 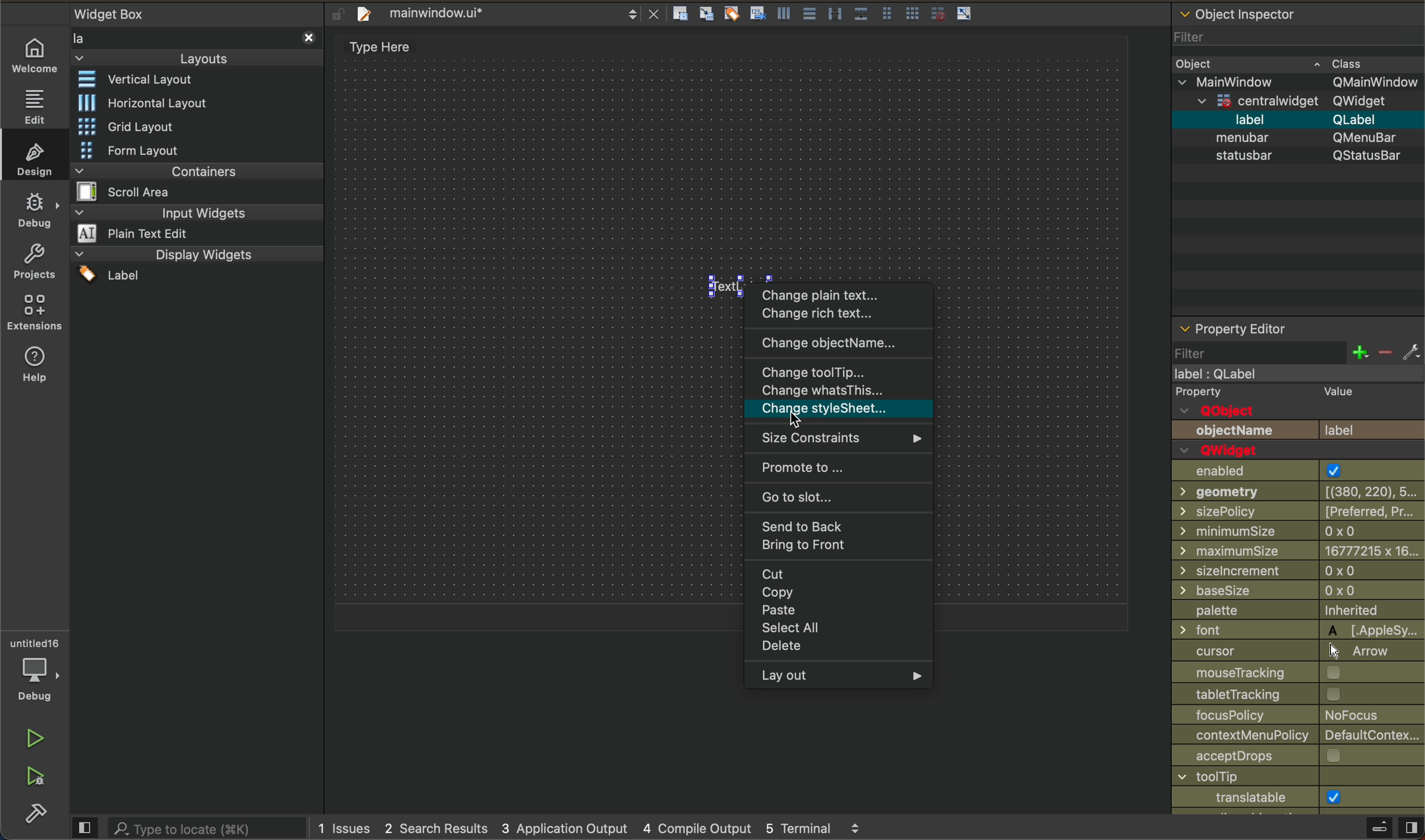 What do you see at coordinates (1295, 351) in the screenshot?
I see `filter section` at bounding box center [1295, 351].